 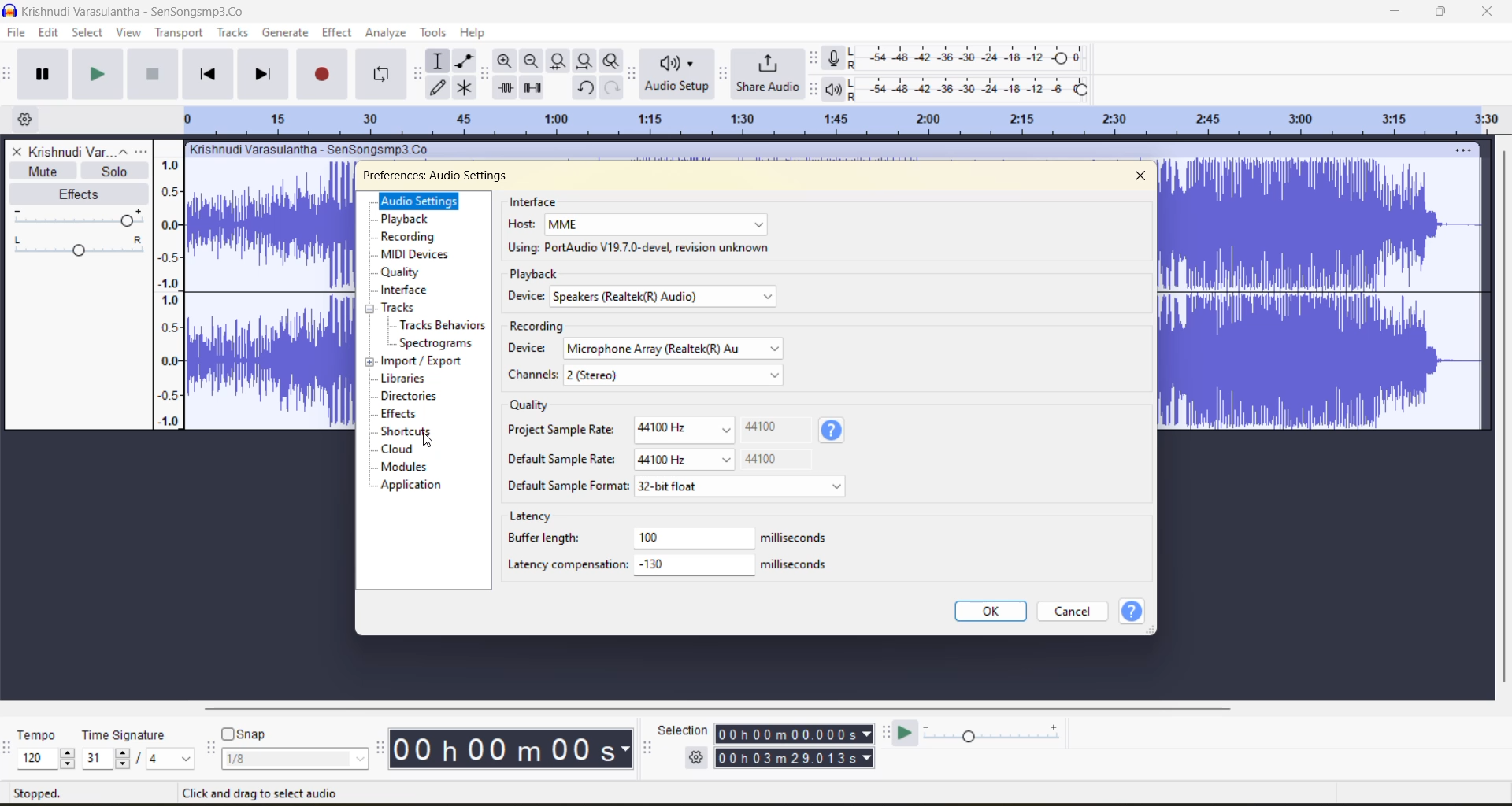 What do you see at coordinates (415, 238) in the screenshot?
I see `recording` at bounding box center [415, 238].